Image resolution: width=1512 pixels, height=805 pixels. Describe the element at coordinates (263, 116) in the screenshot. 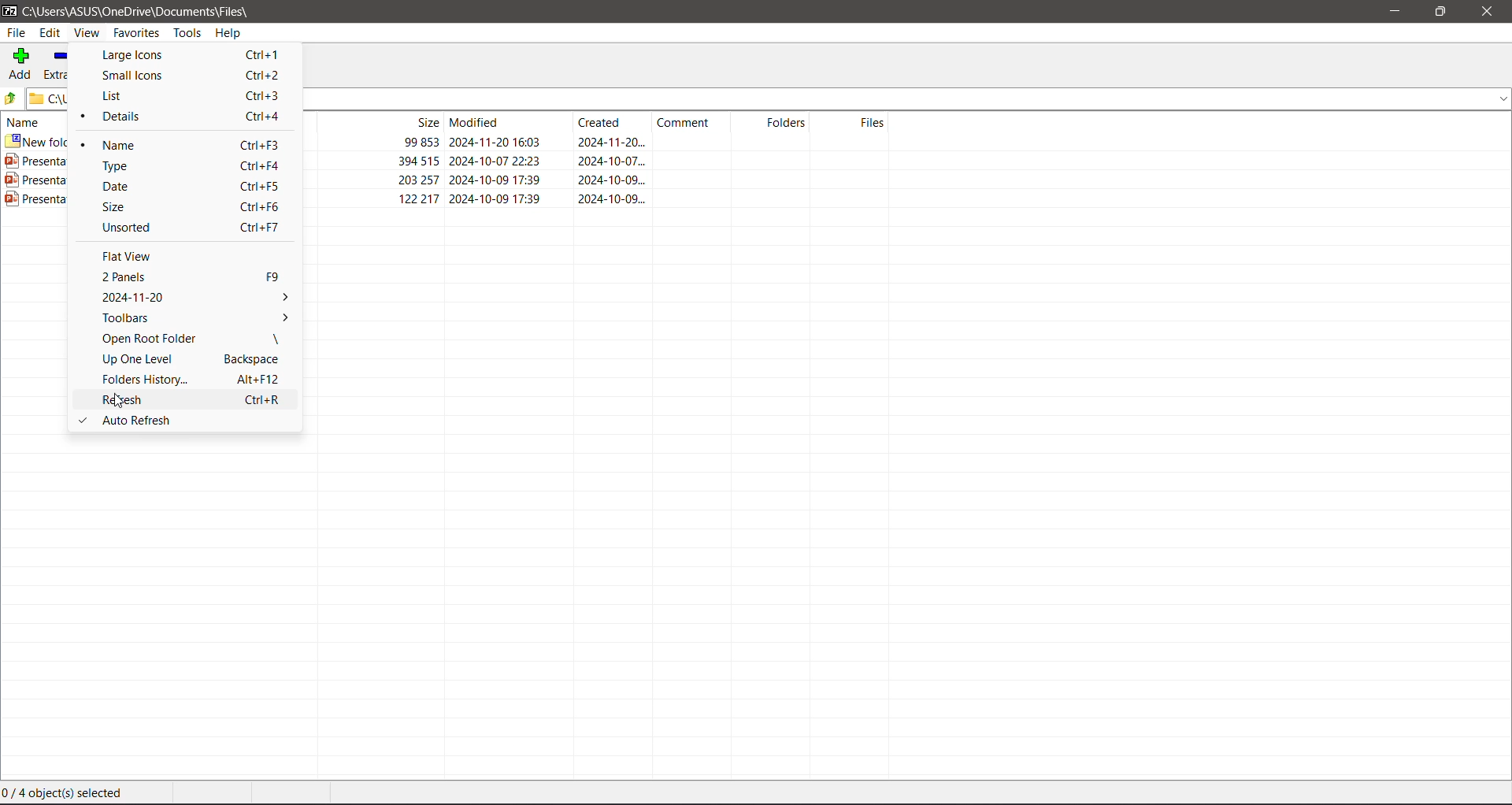

I see `Ctrl+4` at that location.